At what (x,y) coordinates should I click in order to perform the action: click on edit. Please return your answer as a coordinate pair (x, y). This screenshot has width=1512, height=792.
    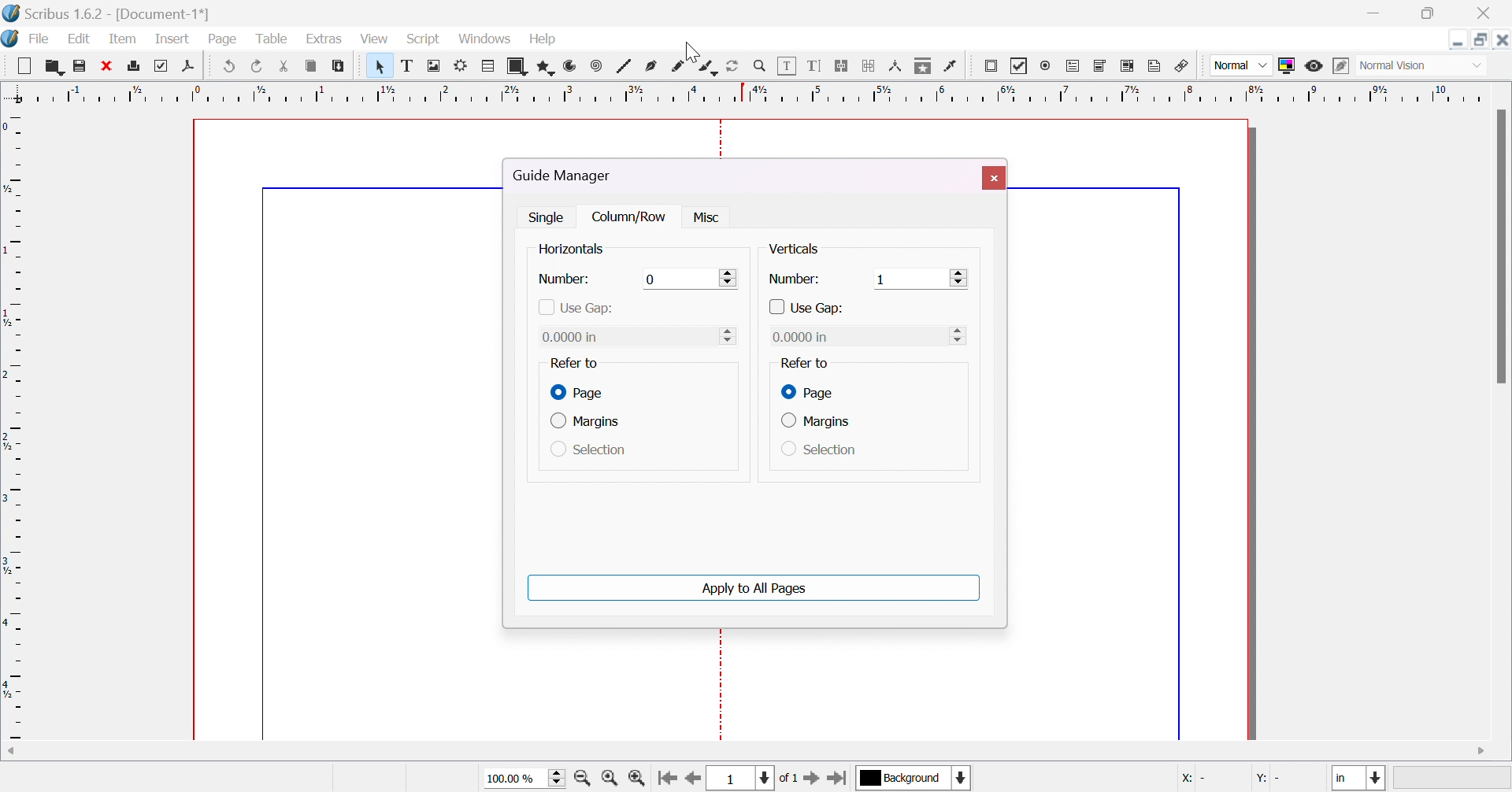
    Looking at the image, I should click on (79, 39).